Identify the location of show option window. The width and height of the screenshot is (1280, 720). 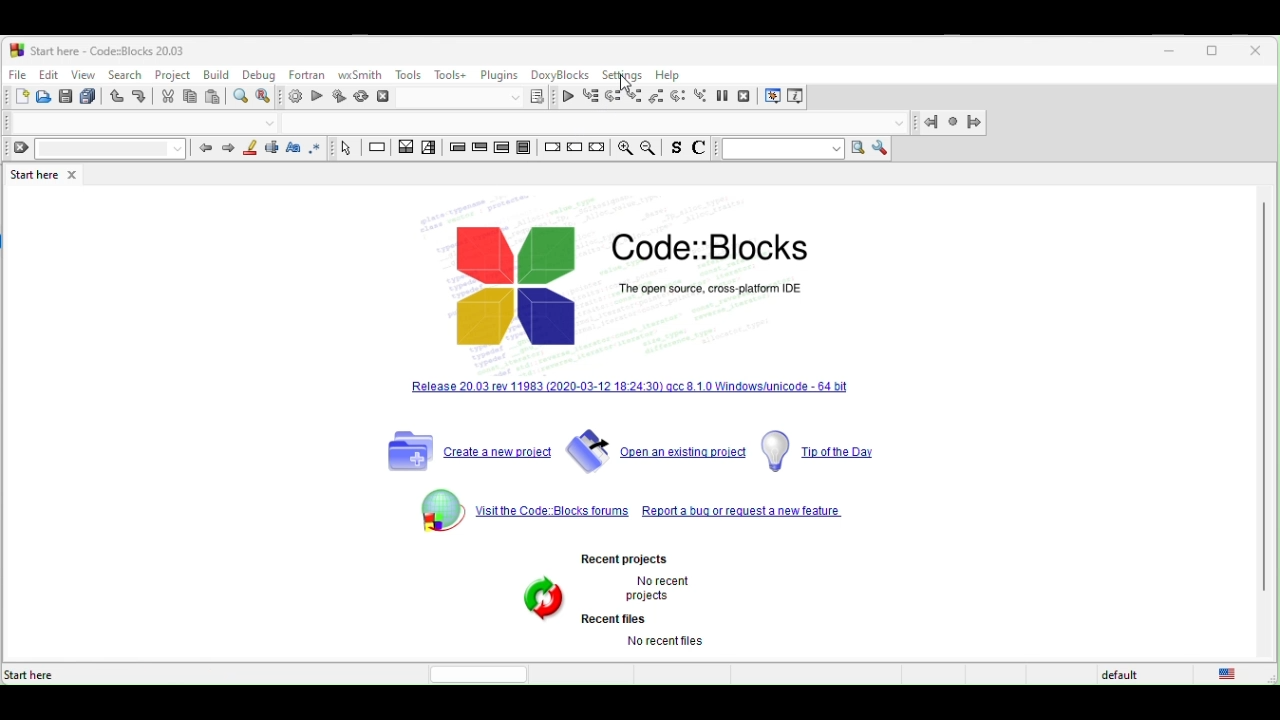
(883, 149).